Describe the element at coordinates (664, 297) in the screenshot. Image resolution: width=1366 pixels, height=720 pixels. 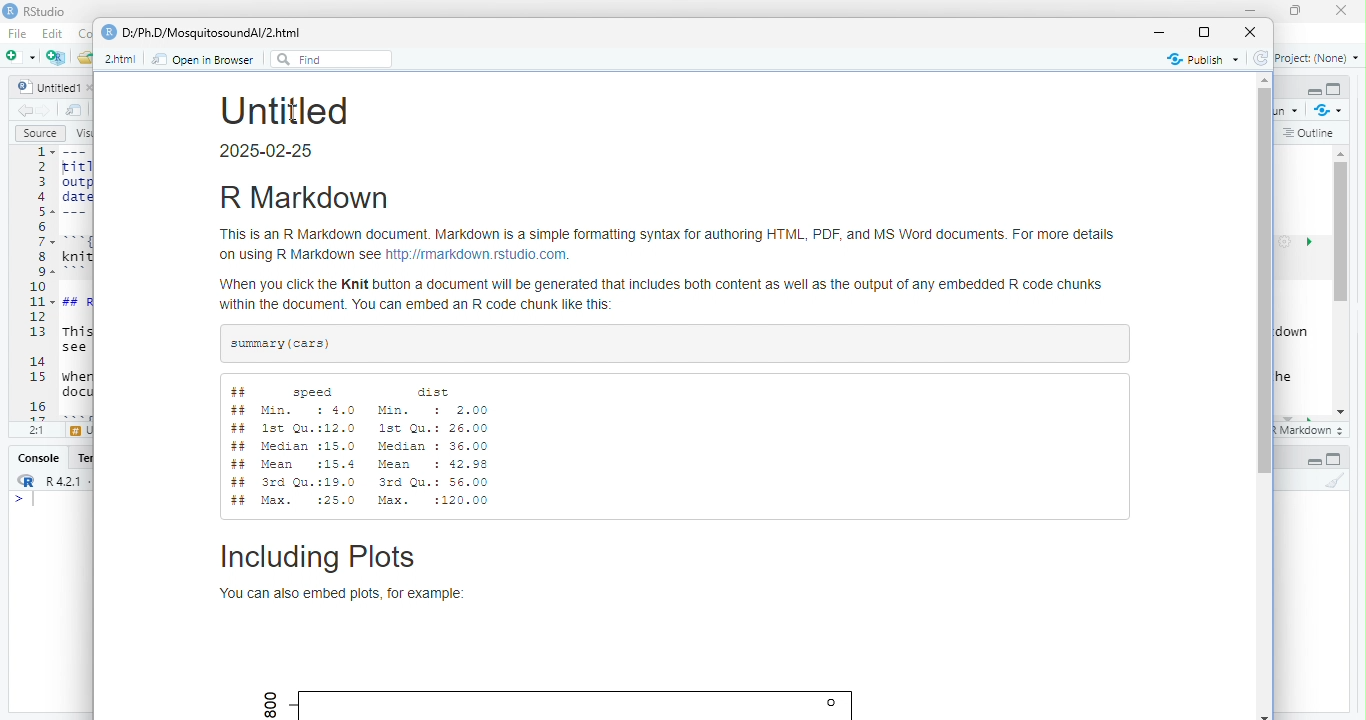
I see `When you click the Knit button a document will be generated that includes both content as well as the output of any embedded R code chunks within the document. You can embed an R code chunk like this:` at that location.